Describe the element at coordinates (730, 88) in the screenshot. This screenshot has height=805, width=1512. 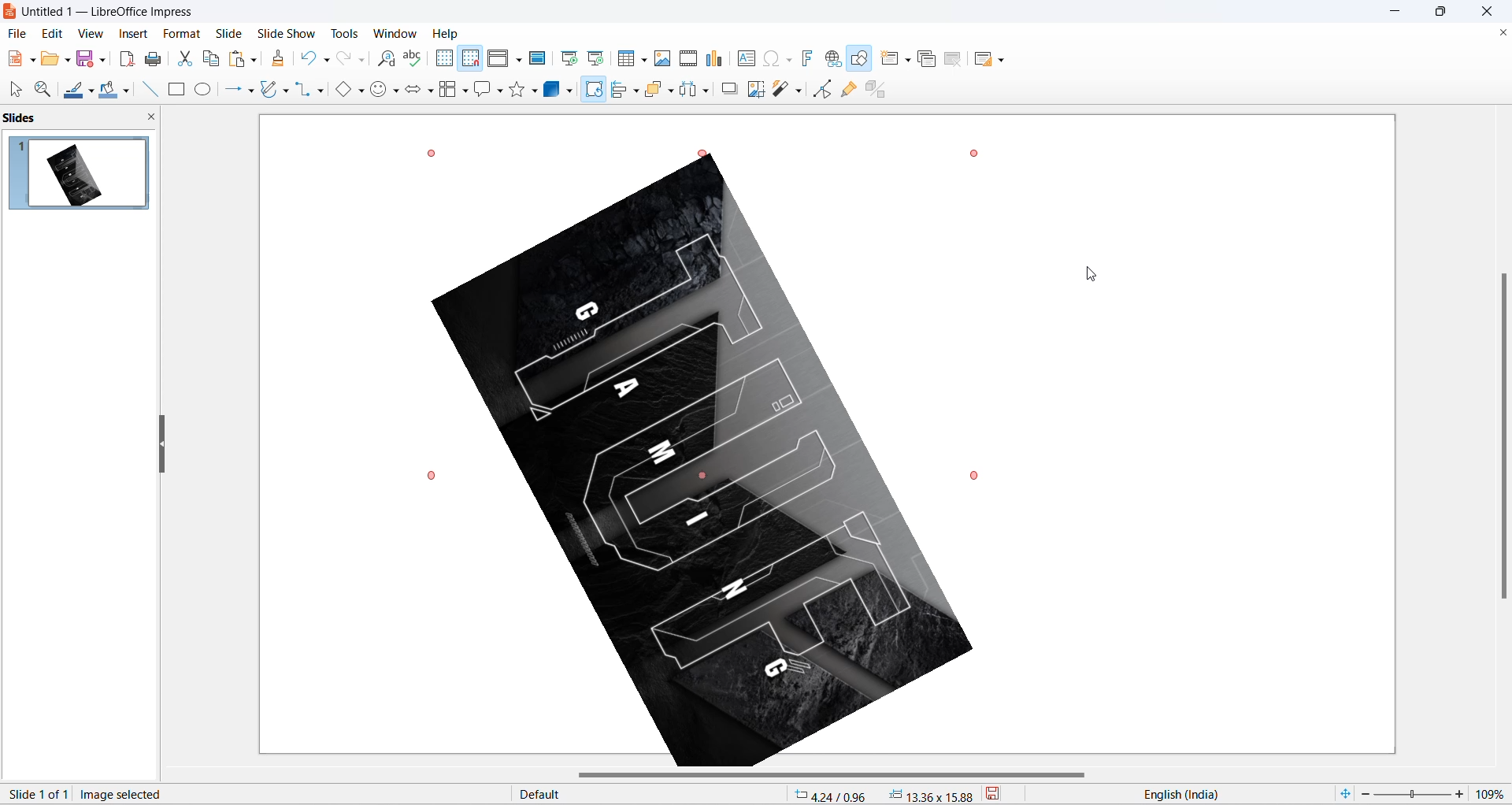
I see `shadow` at that location.